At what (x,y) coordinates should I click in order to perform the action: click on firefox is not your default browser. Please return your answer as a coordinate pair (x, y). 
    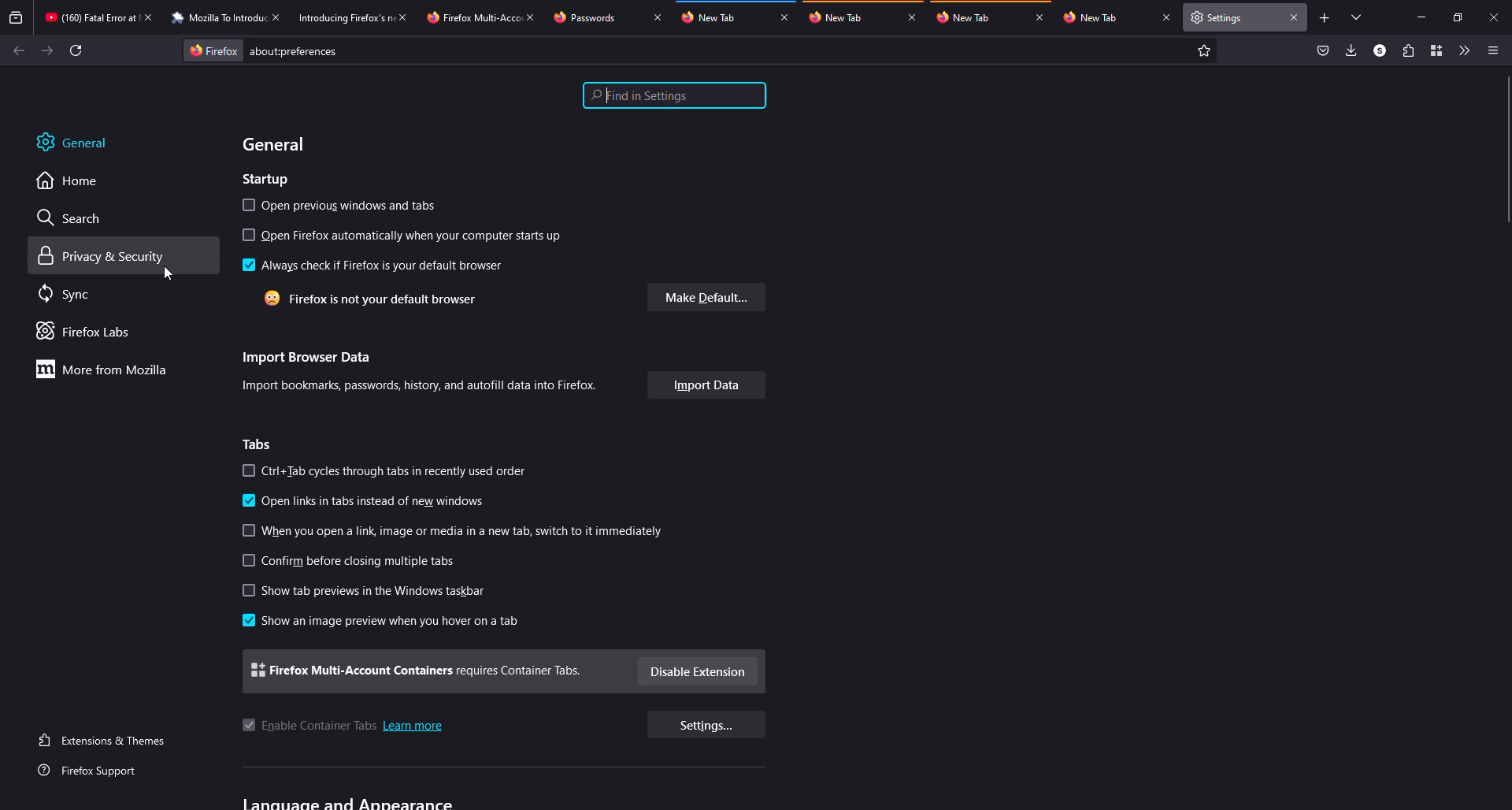
    Looking at the image, I should click on (376, 299).